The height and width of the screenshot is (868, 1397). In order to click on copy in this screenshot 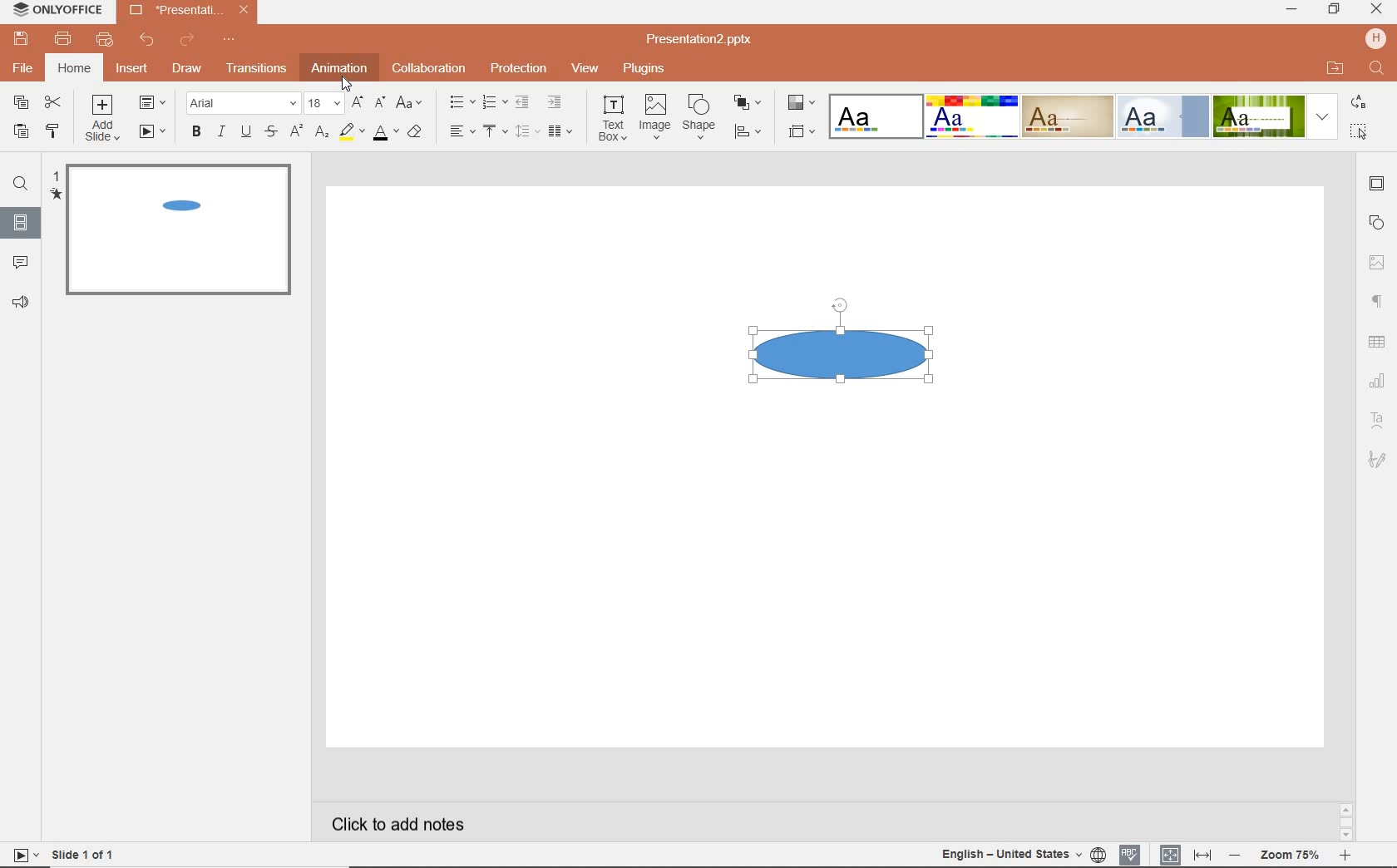, I will do `click(22, 101)`.